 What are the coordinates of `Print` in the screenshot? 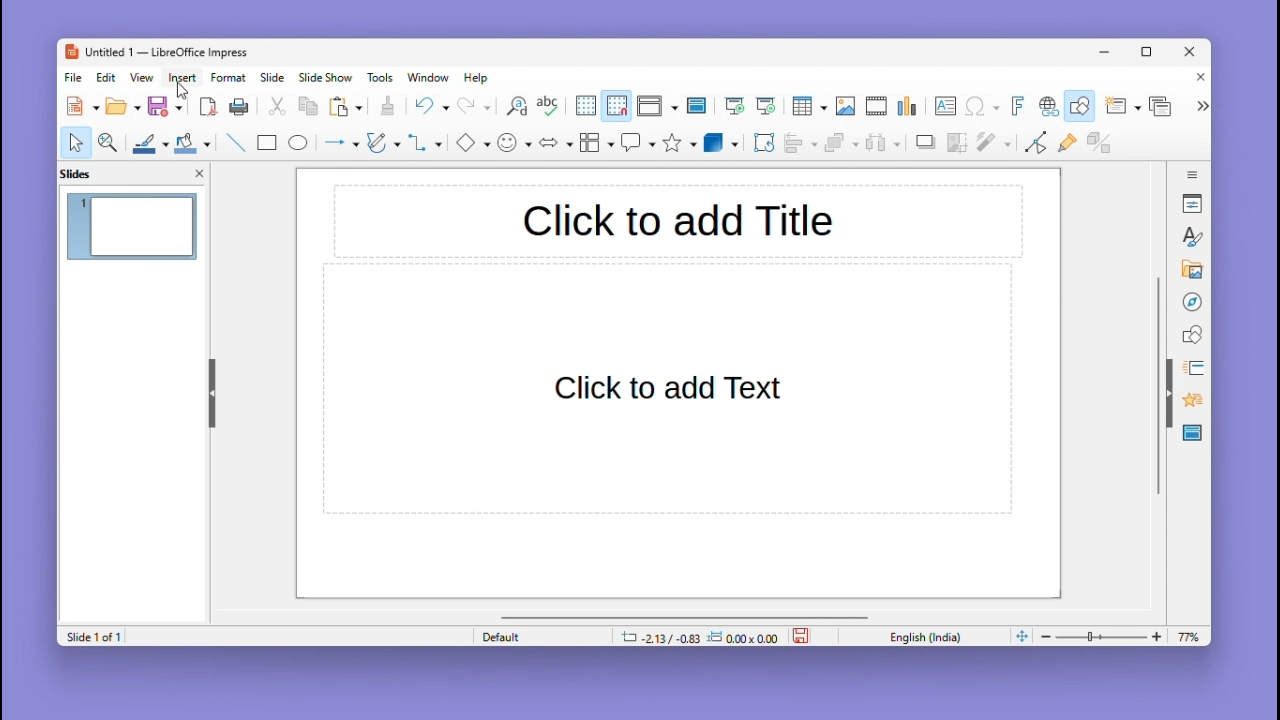 It's located at (239, 107).